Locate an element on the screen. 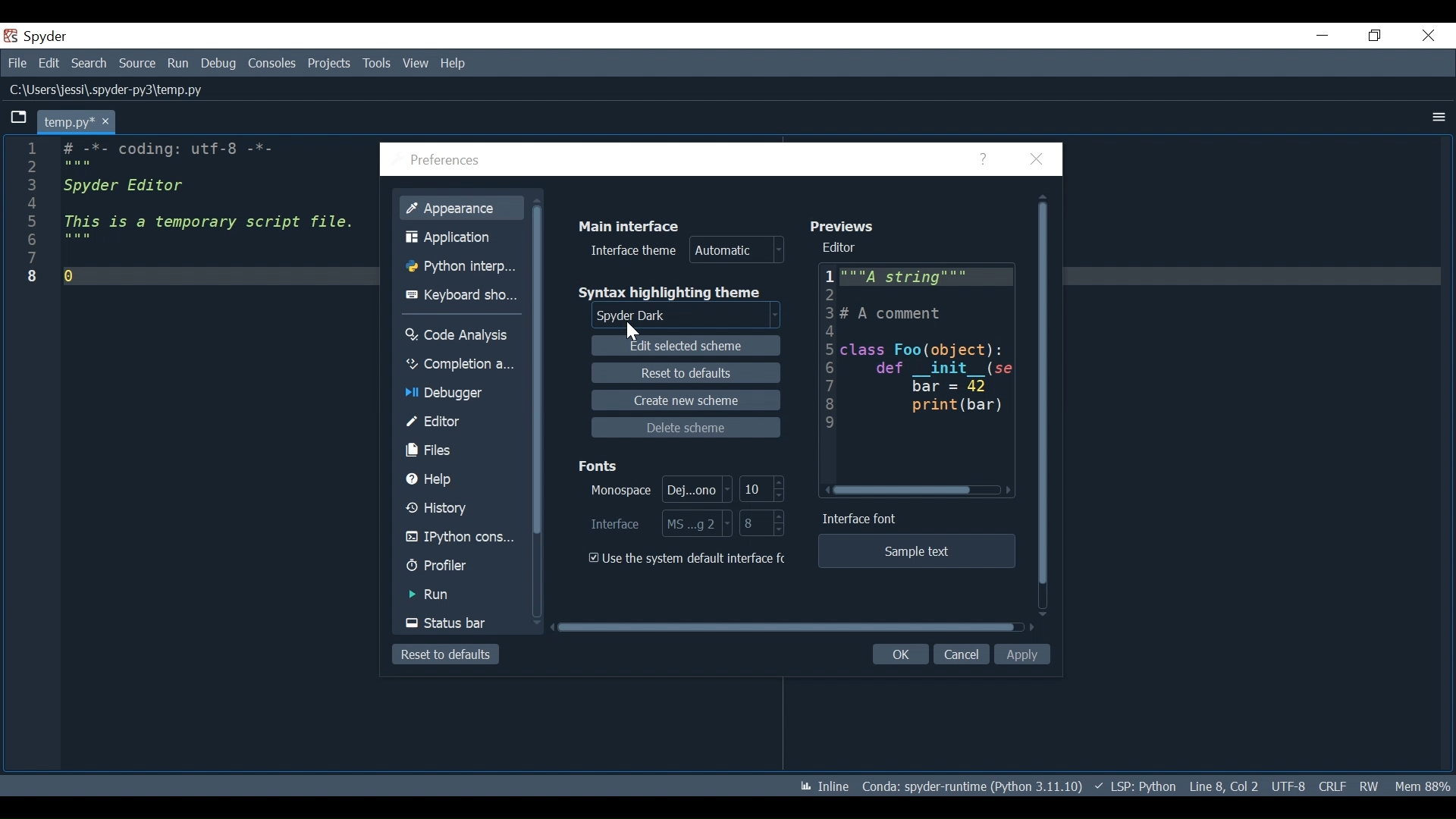 The height and width of the screenshot is (819, 1456). History is located at coordinates (463, 508).